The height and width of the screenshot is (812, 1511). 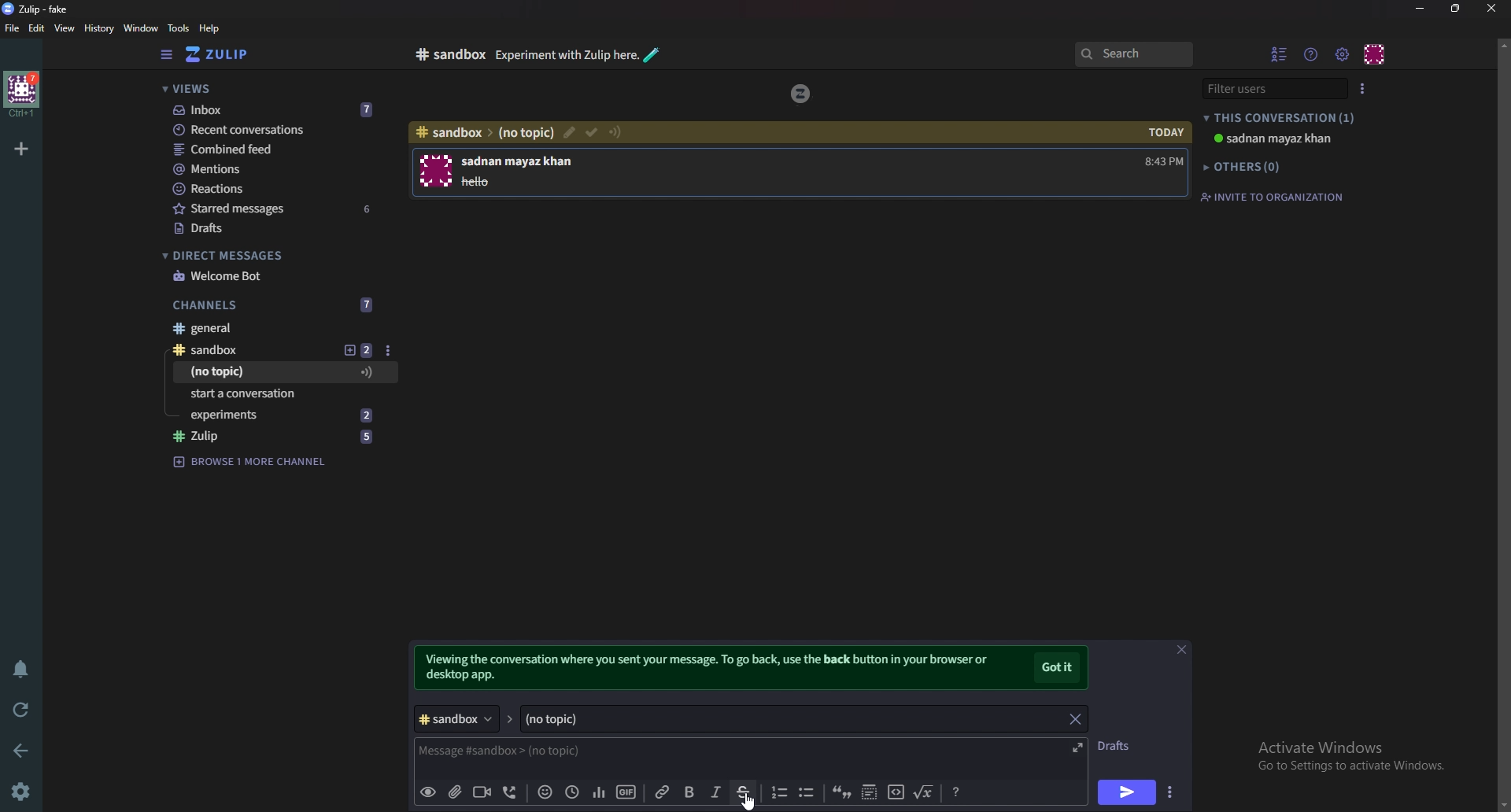 I want to click on Bullet list, so click(x=809, y=792).